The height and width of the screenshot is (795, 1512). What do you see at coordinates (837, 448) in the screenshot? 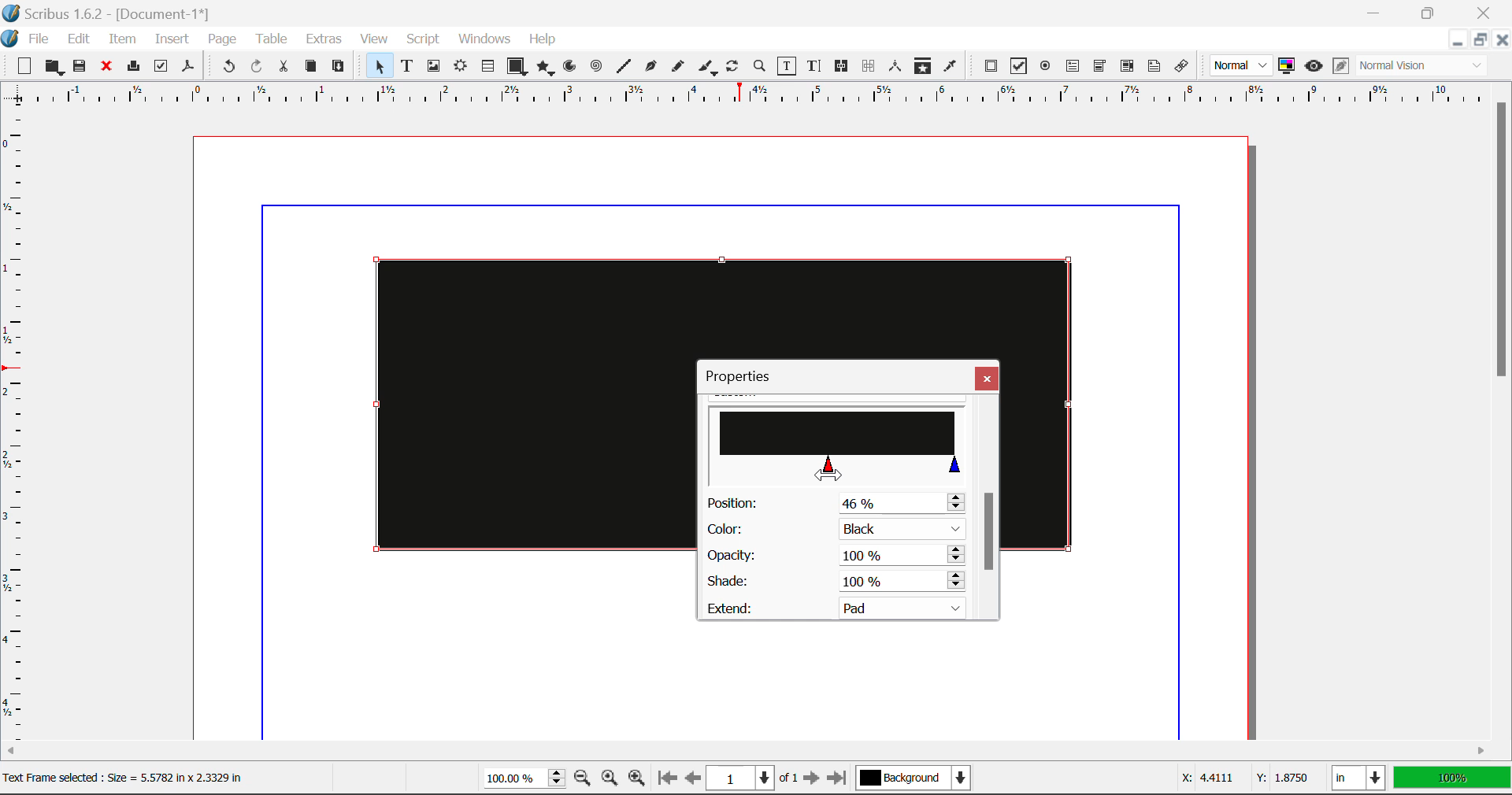
I see `Gradient Slider` at bounding box center [837, 448].